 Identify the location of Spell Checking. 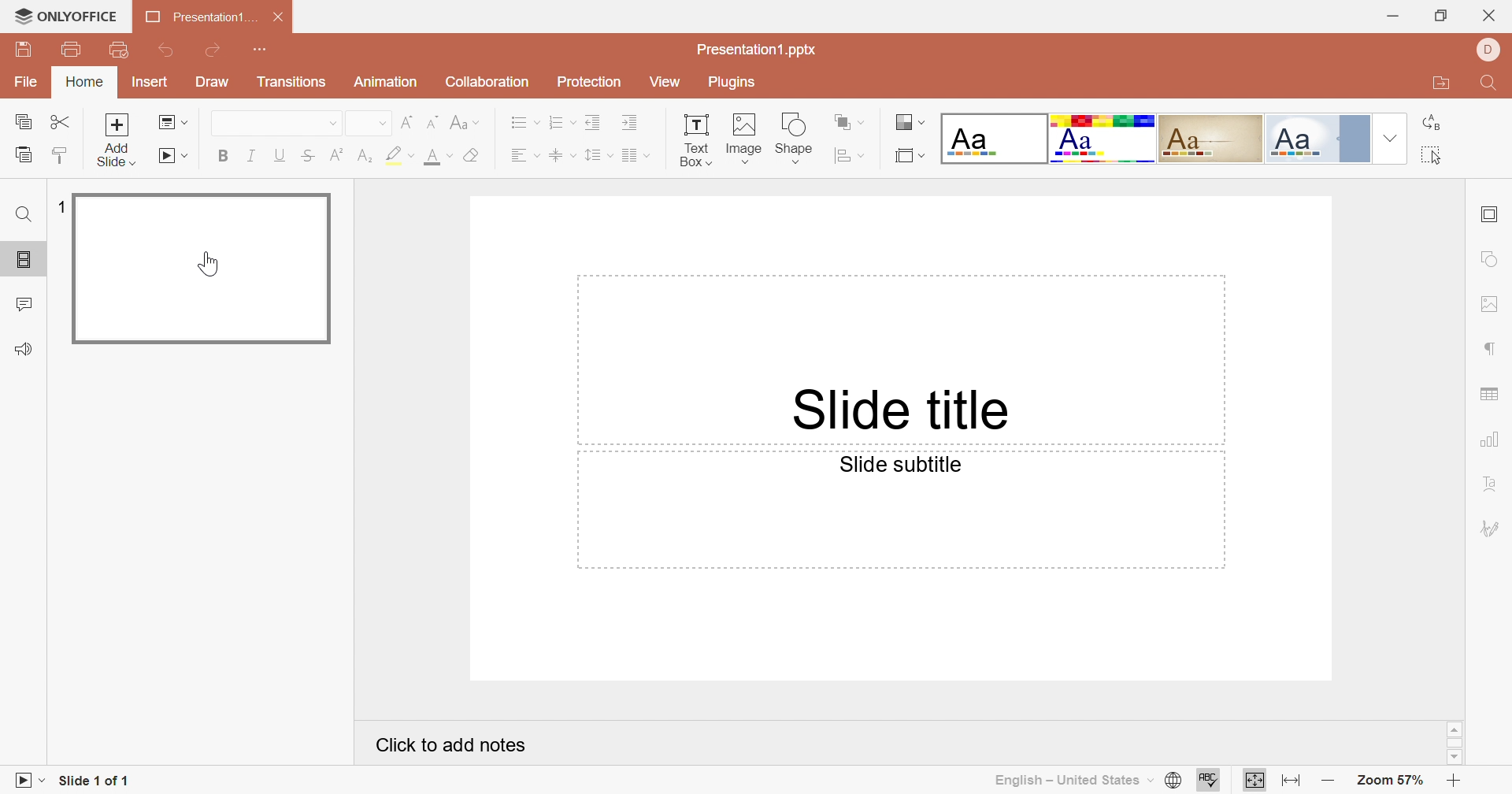
(1209, 783).